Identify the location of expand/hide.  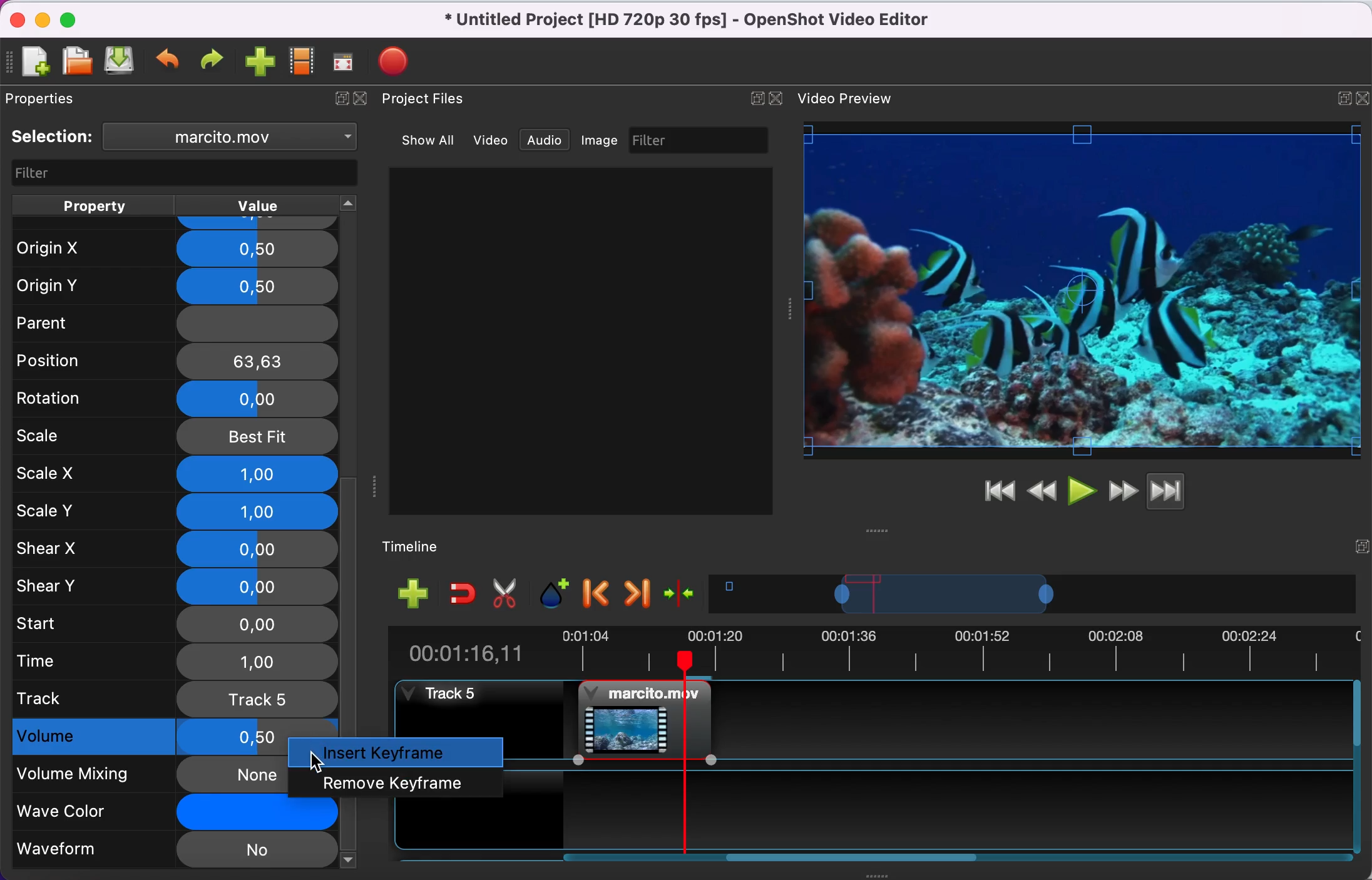
(338, 101).